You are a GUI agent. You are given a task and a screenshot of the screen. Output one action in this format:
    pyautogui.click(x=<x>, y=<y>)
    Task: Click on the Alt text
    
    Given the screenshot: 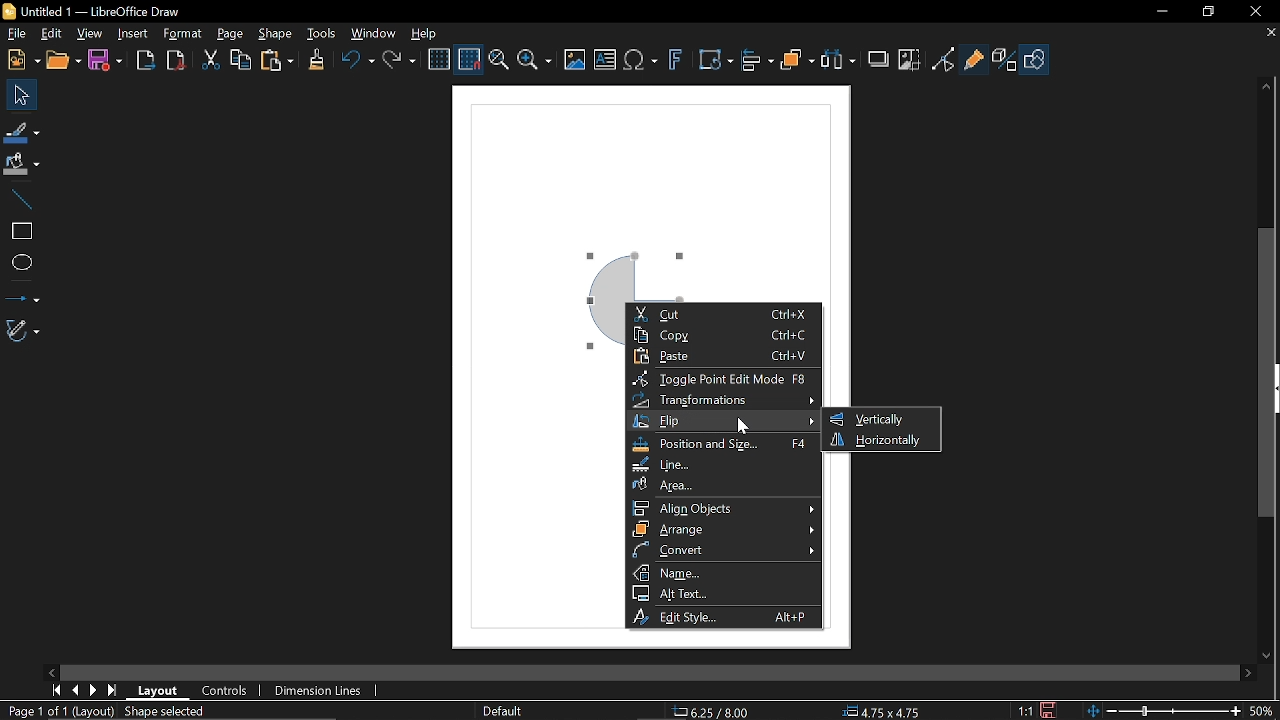 What is the action you would take?
    pyautogui.click(x=720, y=594)
    